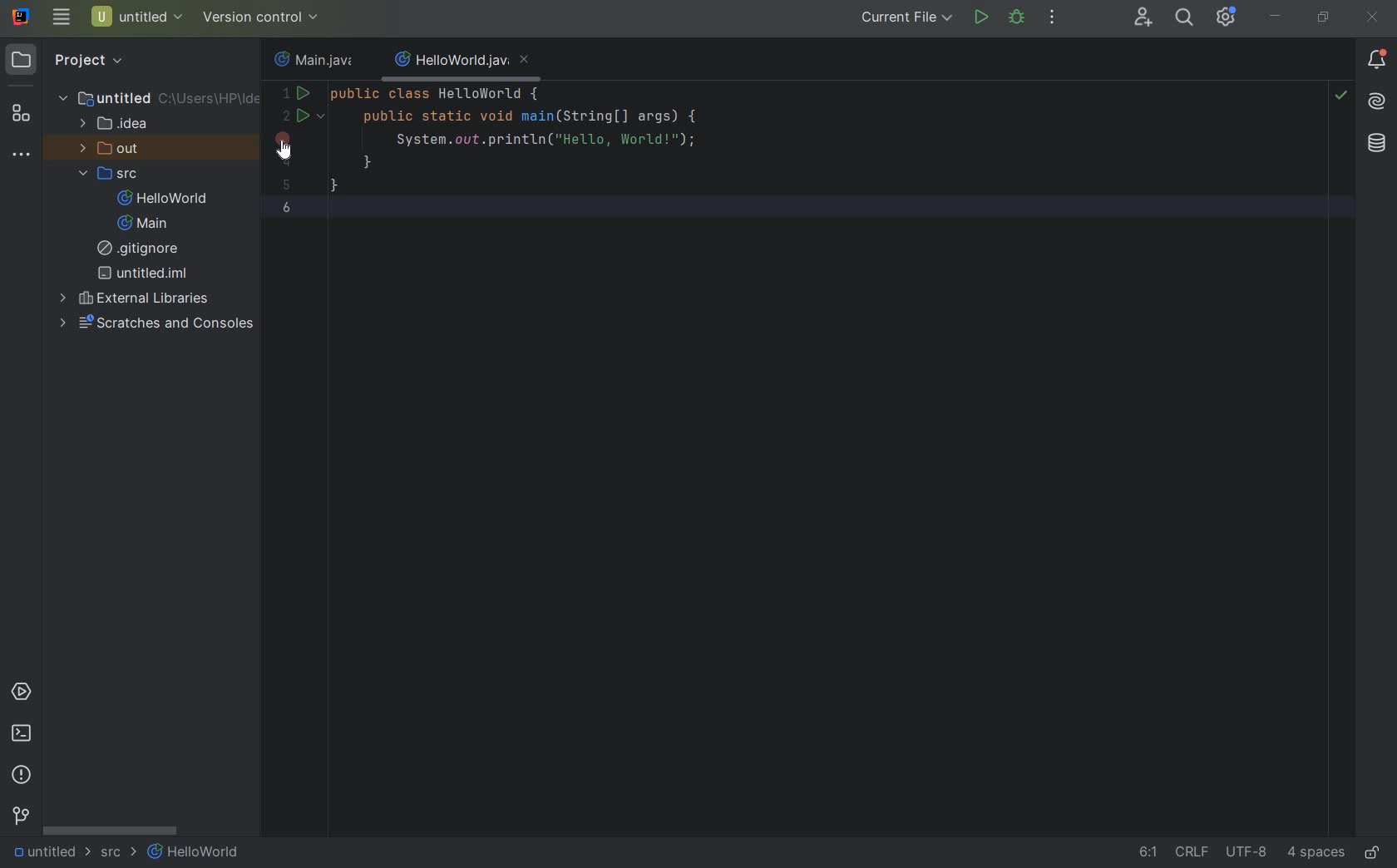 The image size is (1397, 868). I want to click on AI assistant, so click(1377, 104).